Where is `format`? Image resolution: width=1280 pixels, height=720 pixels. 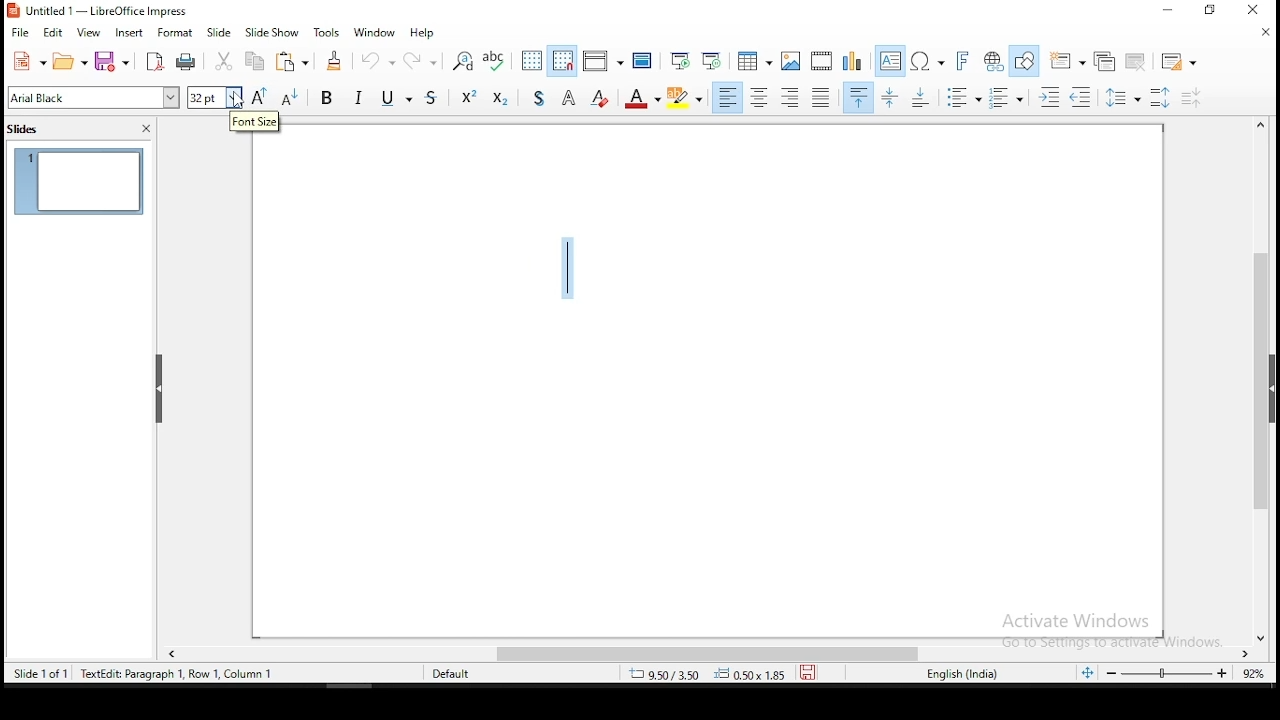
format is located at coordinates (176, 32).